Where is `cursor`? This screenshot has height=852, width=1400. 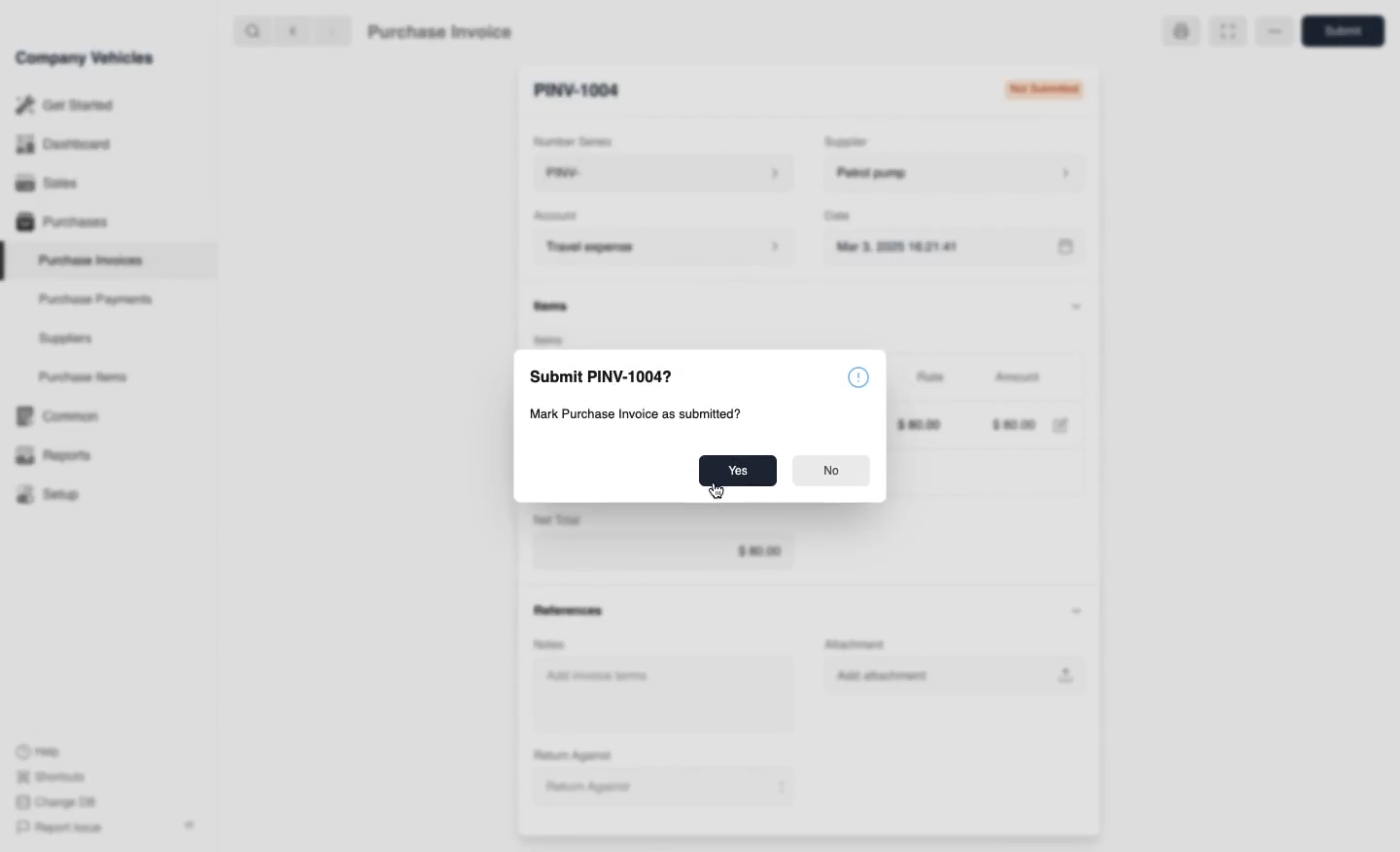
cursor is located at coordinates (717, 490).